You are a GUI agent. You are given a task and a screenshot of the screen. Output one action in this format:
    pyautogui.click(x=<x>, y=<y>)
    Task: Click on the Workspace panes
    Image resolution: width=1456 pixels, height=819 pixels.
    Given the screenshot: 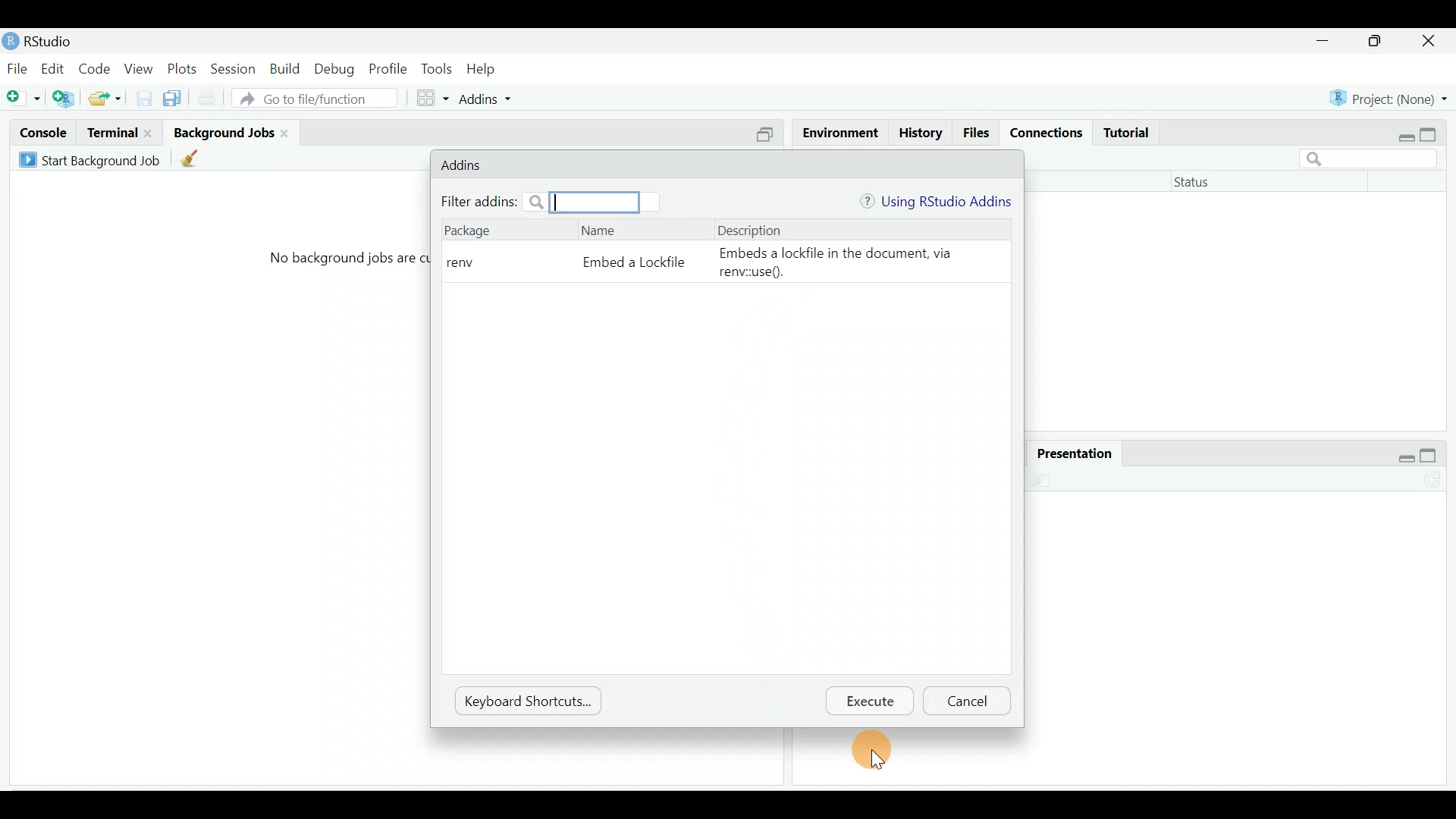 What is the action you would take?
    pyautogui.click(x=433, y=99)
    